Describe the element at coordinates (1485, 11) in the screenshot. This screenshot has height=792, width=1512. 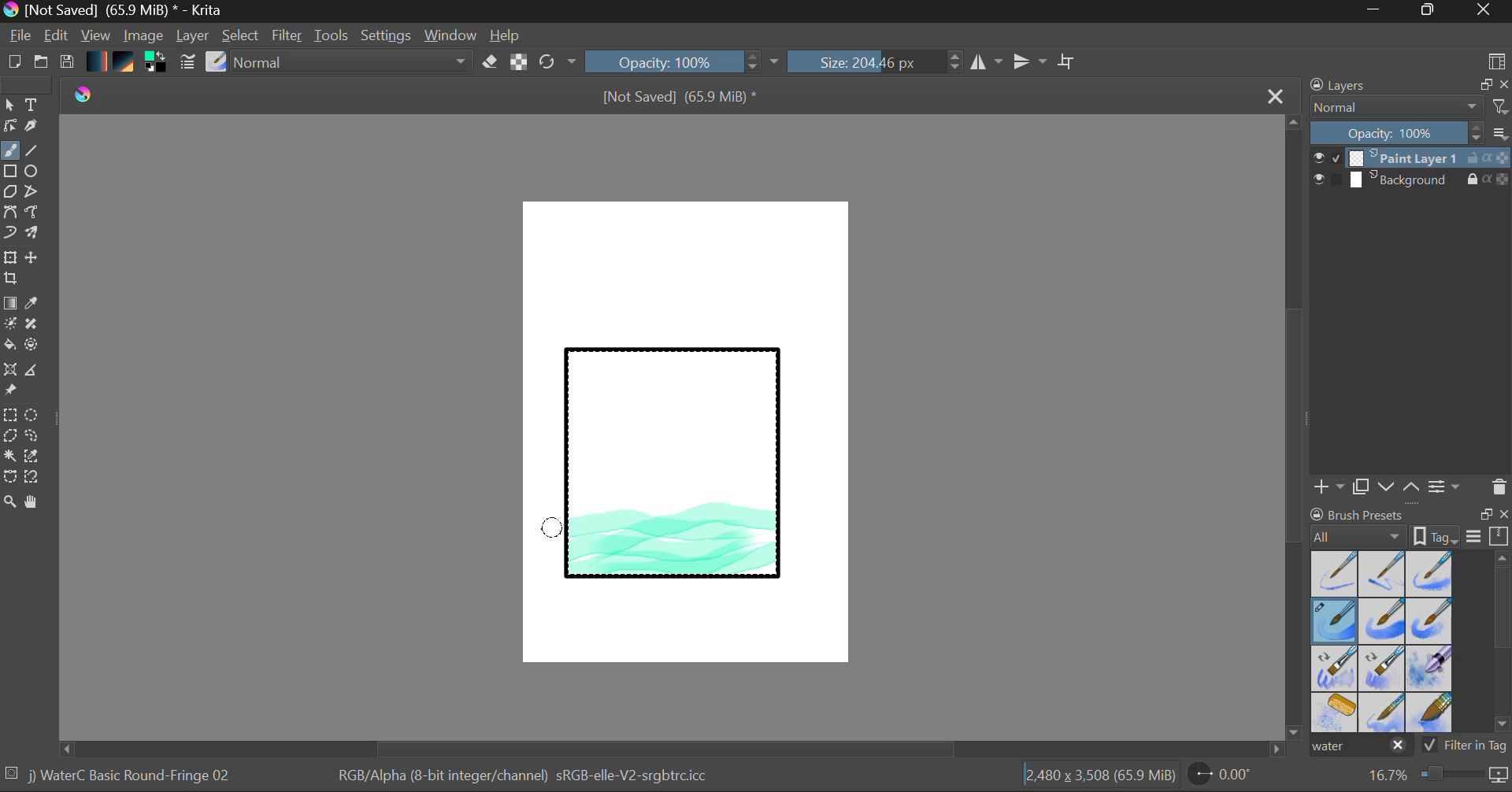
I see `Close` at that location.